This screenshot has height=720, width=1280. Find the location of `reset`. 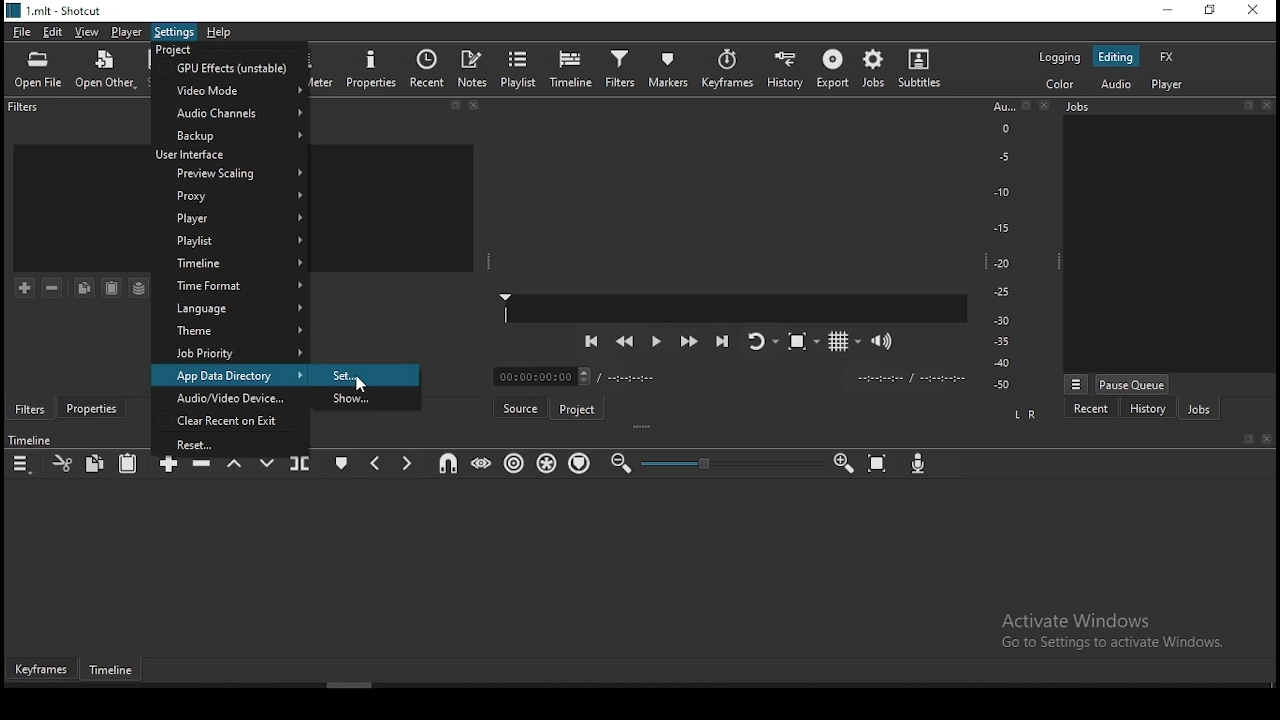

reset is located at coordinates (230, 441).